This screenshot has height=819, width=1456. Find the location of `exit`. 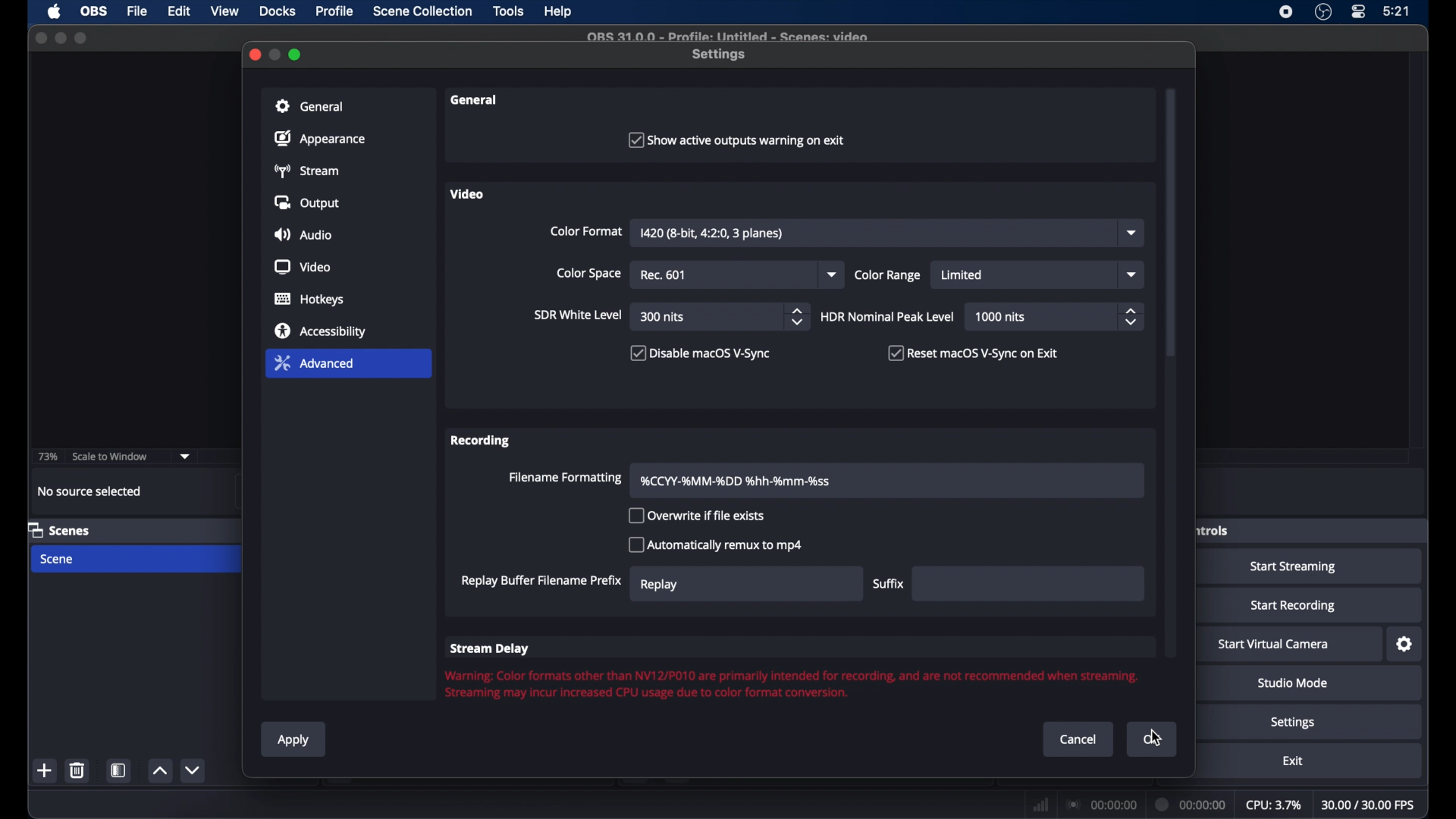

exit is located at coordinates (1292, 761).